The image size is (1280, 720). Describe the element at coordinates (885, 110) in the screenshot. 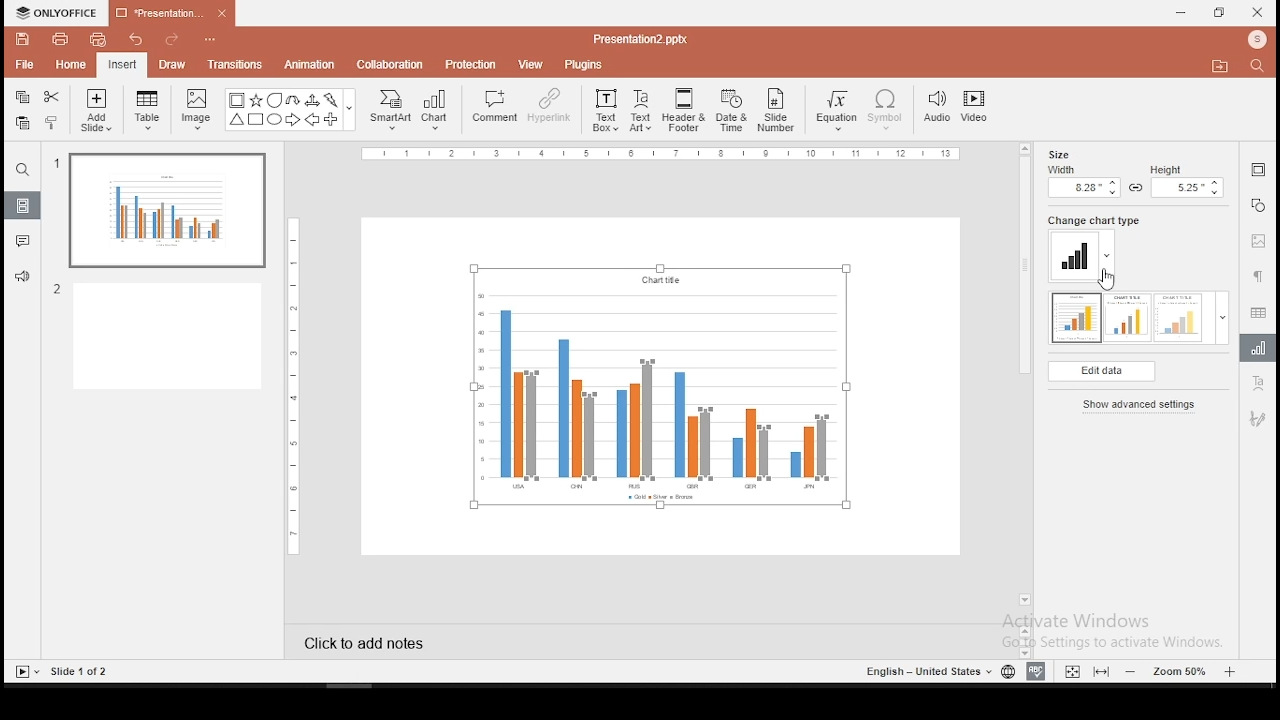

I see `symbol` at that location.